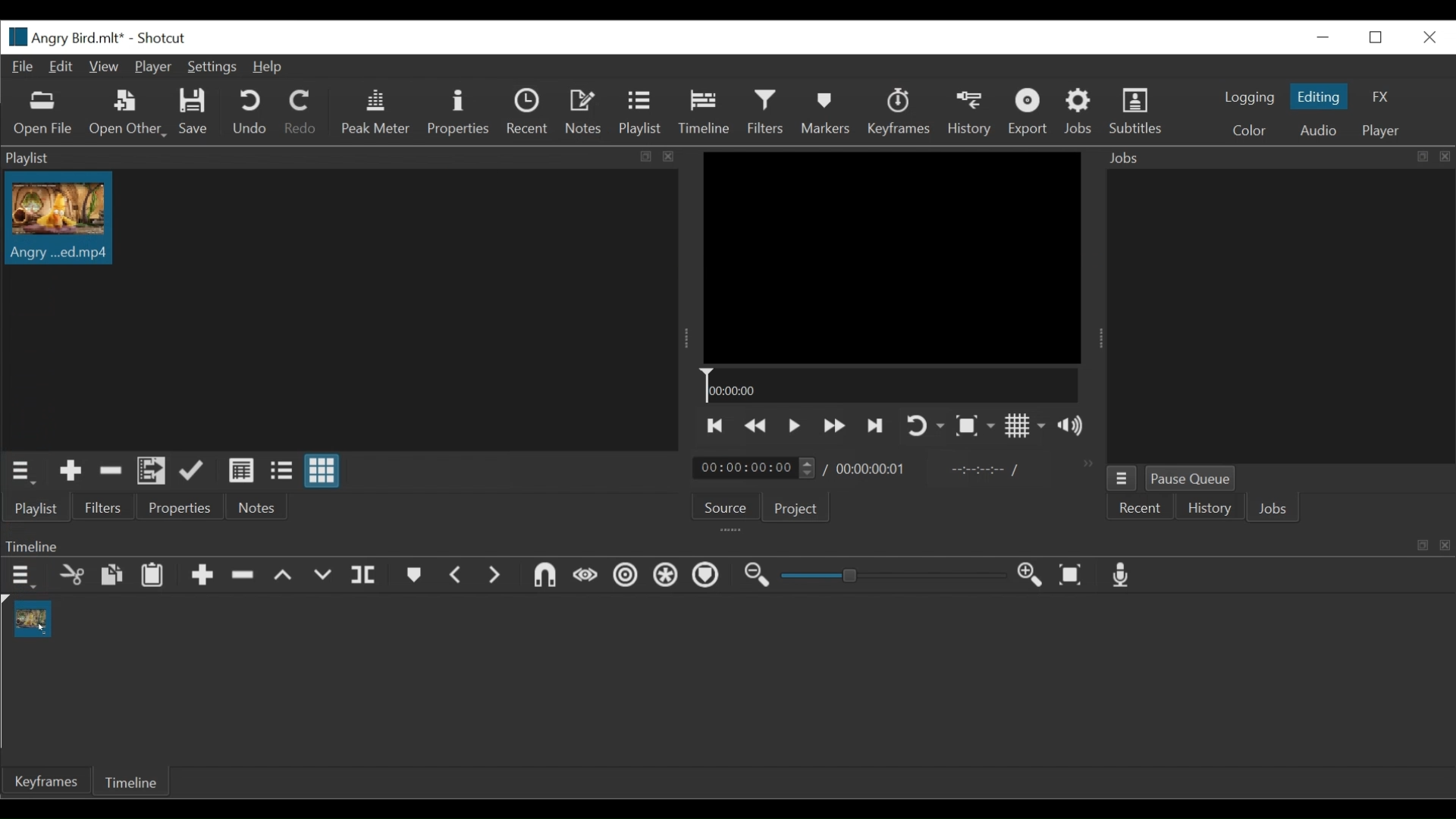 The width and height of the screenshot is (1456, 819). Describe the element at coordinates (757, 576) in the screenshot. I see `Zoom timeline out` at that location.